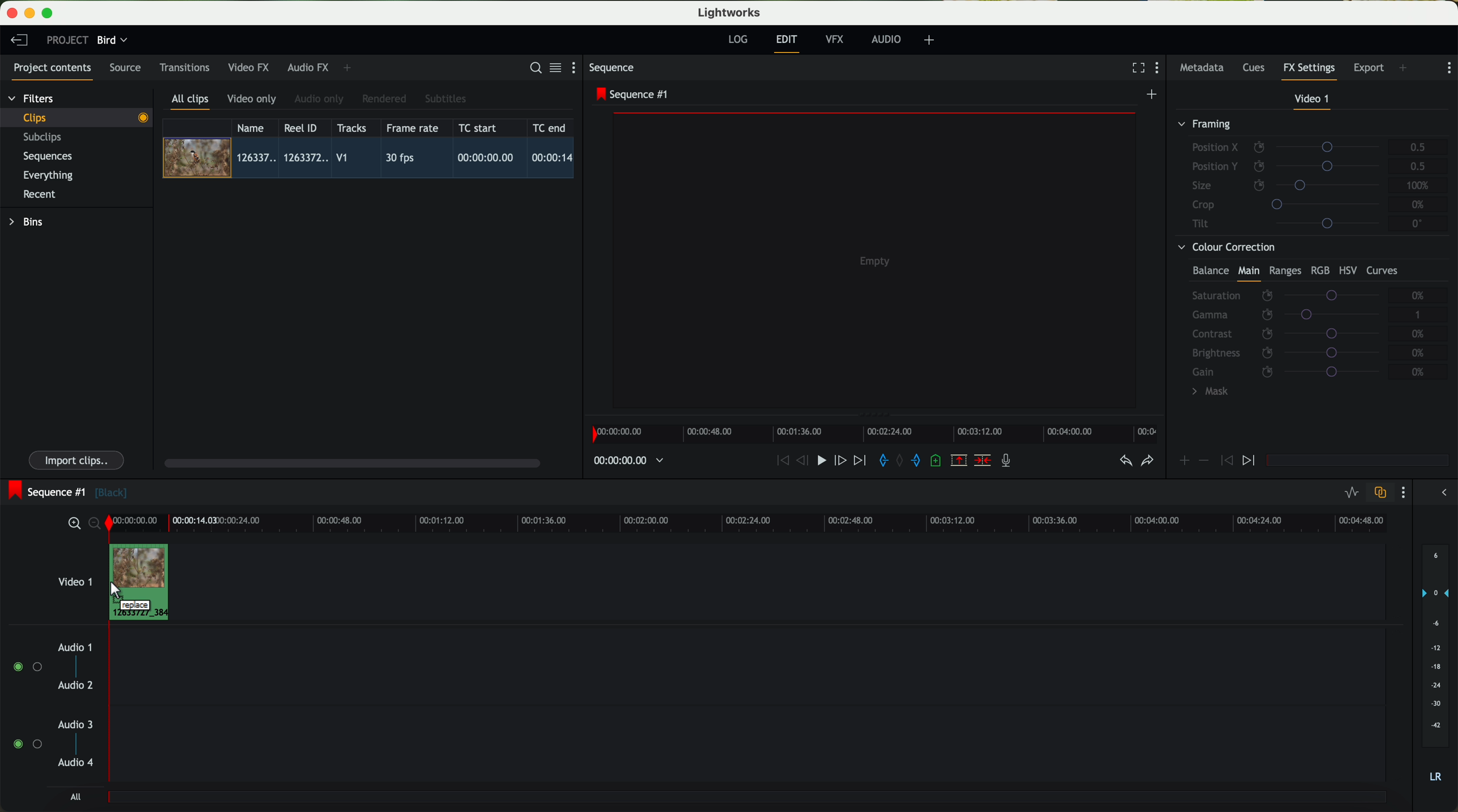 This screenshot has height=812, width=1458. Describe the element at coordinates (1290, 166) in the screenshot. I see `position Y` at that location.